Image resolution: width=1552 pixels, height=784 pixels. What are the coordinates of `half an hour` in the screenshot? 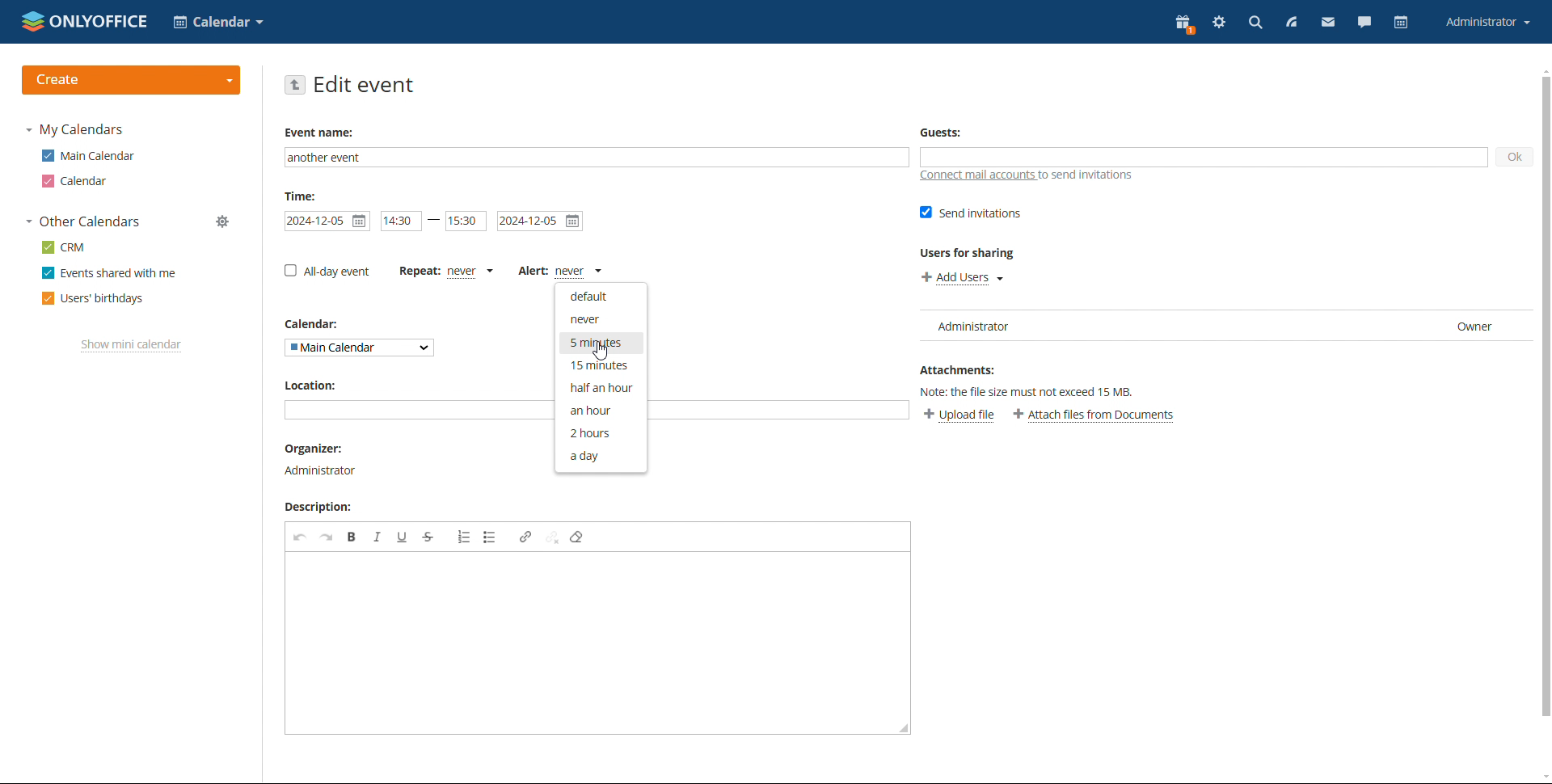 It's located at (601, 388).